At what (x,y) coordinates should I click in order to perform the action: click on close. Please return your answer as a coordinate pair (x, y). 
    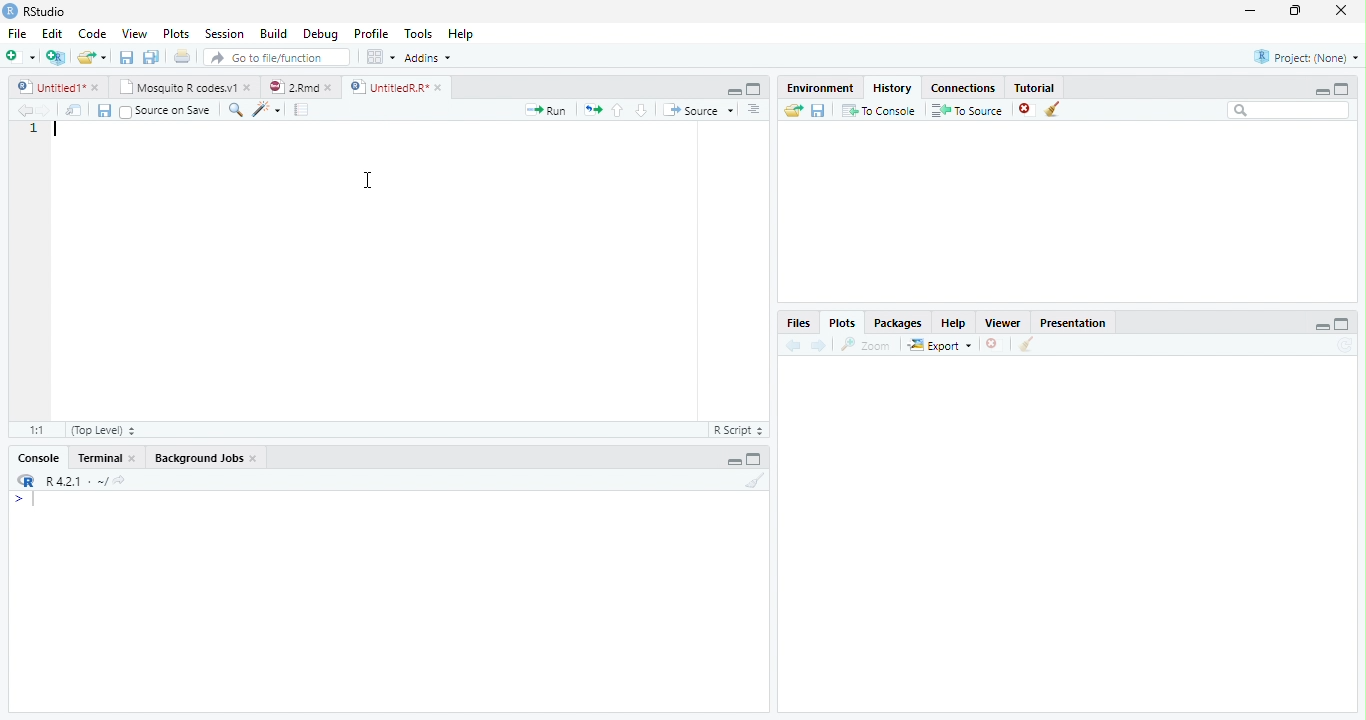
    Looking at the image, I should click on (1026, 110).